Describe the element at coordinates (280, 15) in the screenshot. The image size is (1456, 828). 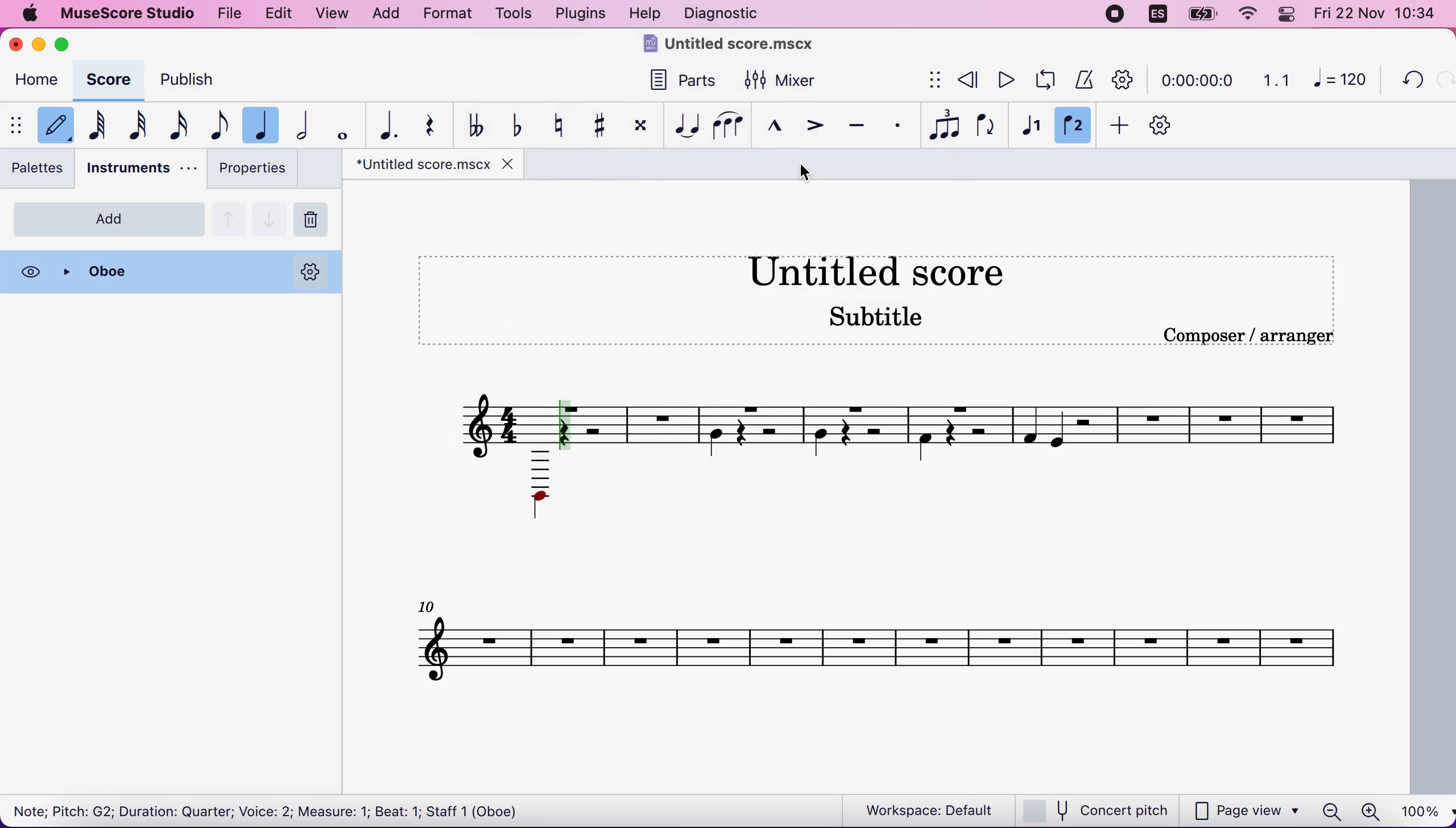
I see `edit` at that location.